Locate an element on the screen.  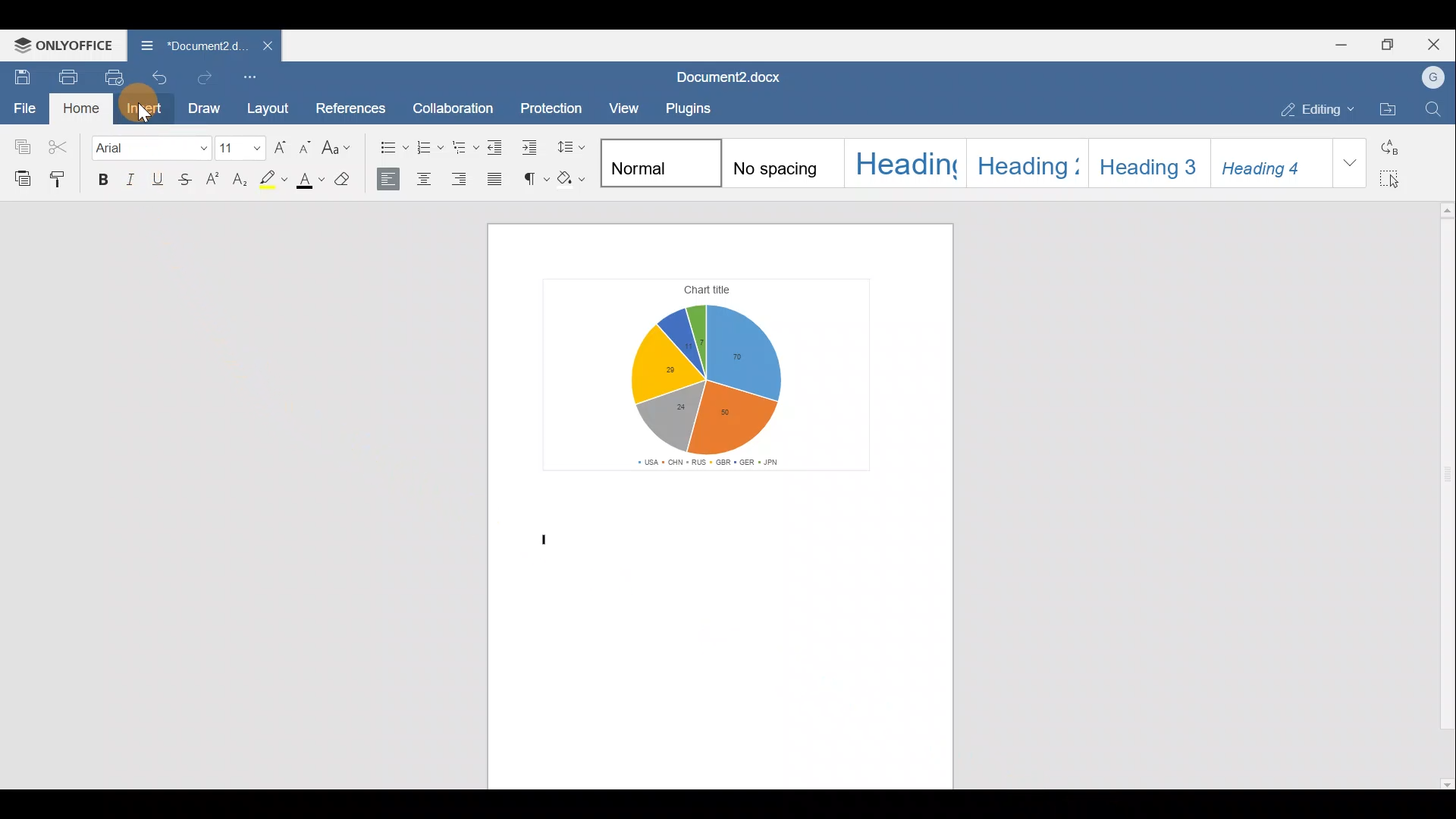
Nonprinting characters is located at coordinates (534, 180).